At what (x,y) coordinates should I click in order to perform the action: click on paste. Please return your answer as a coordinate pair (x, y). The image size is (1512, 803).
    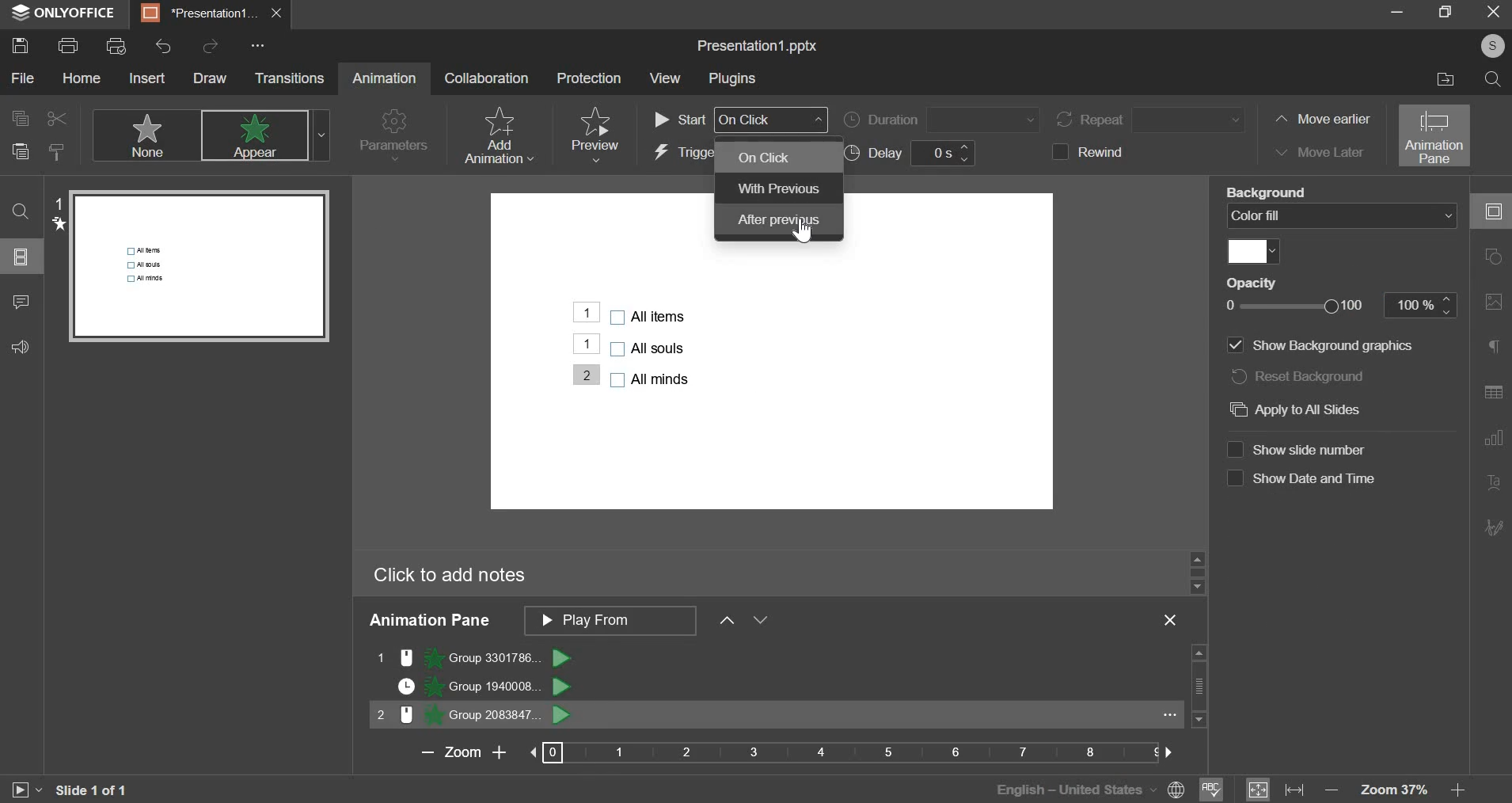
    Looking at the image, I should click on (20, 153).